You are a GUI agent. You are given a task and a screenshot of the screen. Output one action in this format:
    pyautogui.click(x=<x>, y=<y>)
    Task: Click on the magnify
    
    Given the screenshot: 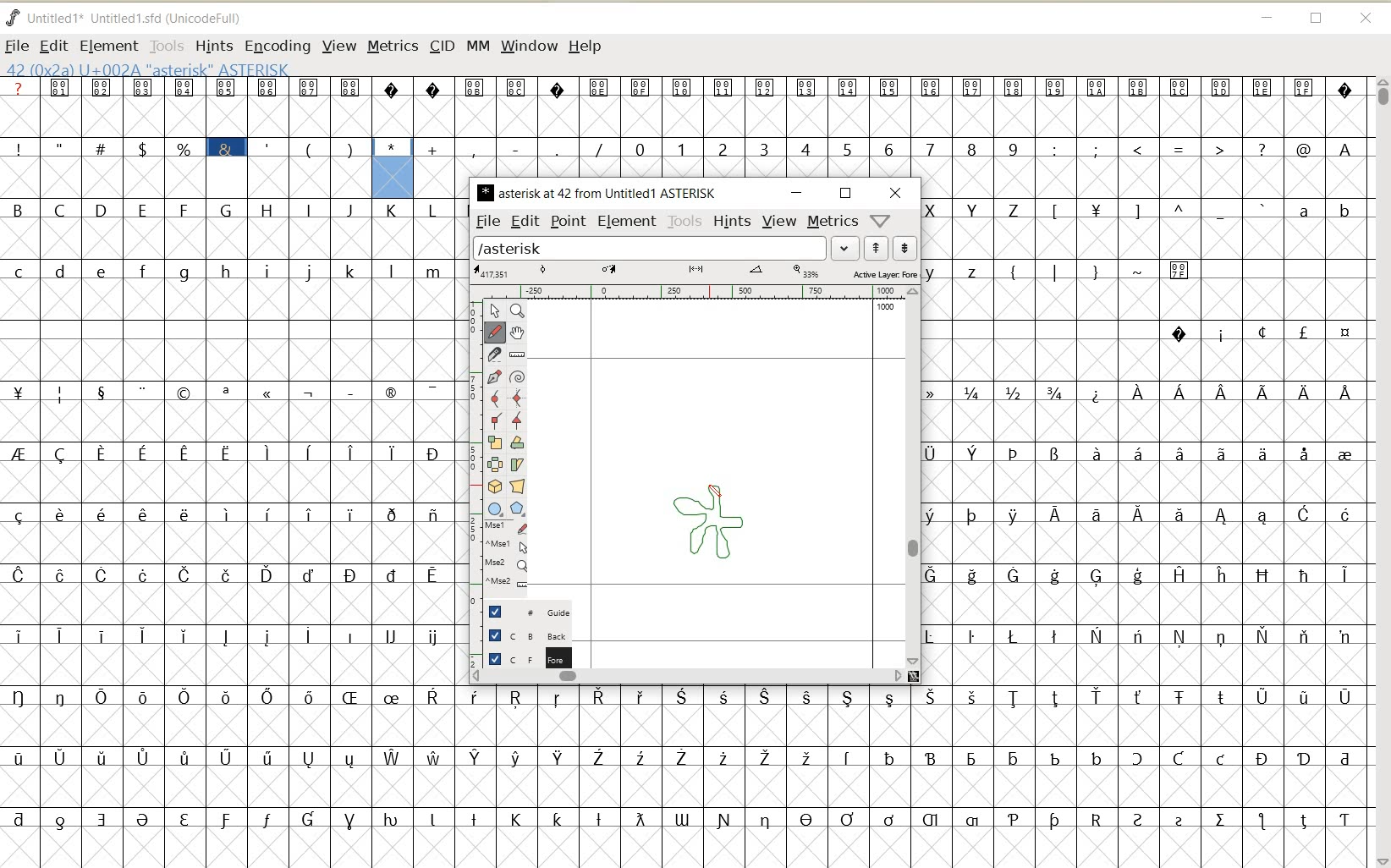 What is the action you would take?
    pyautogui.click(x=518, y=312)
    